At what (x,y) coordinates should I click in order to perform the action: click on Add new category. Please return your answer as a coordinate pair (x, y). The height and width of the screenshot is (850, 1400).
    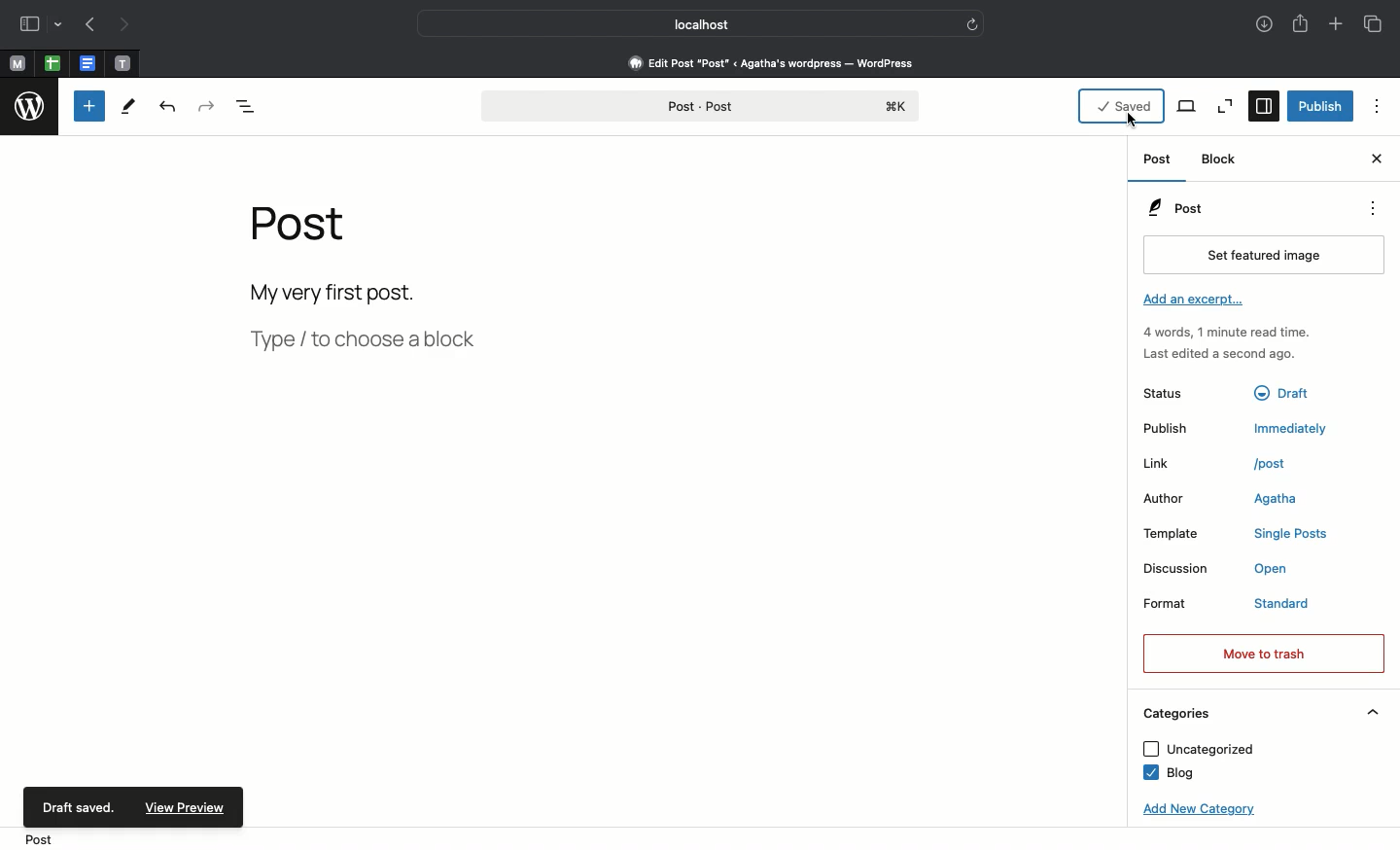
    Looking at the image, I should click on (1194, 810).